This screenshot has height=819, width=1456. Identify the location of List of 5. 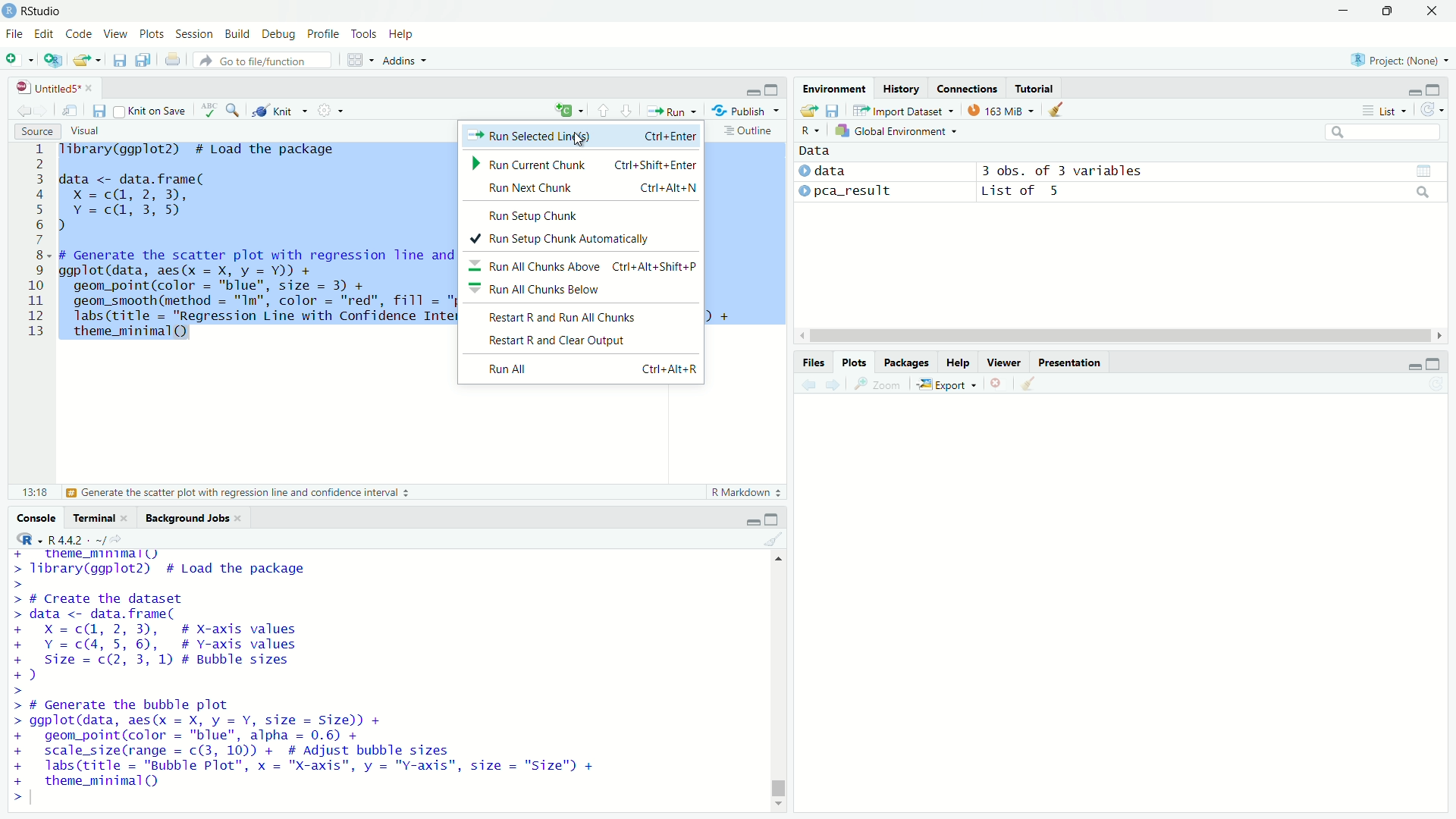
(1024, 191).